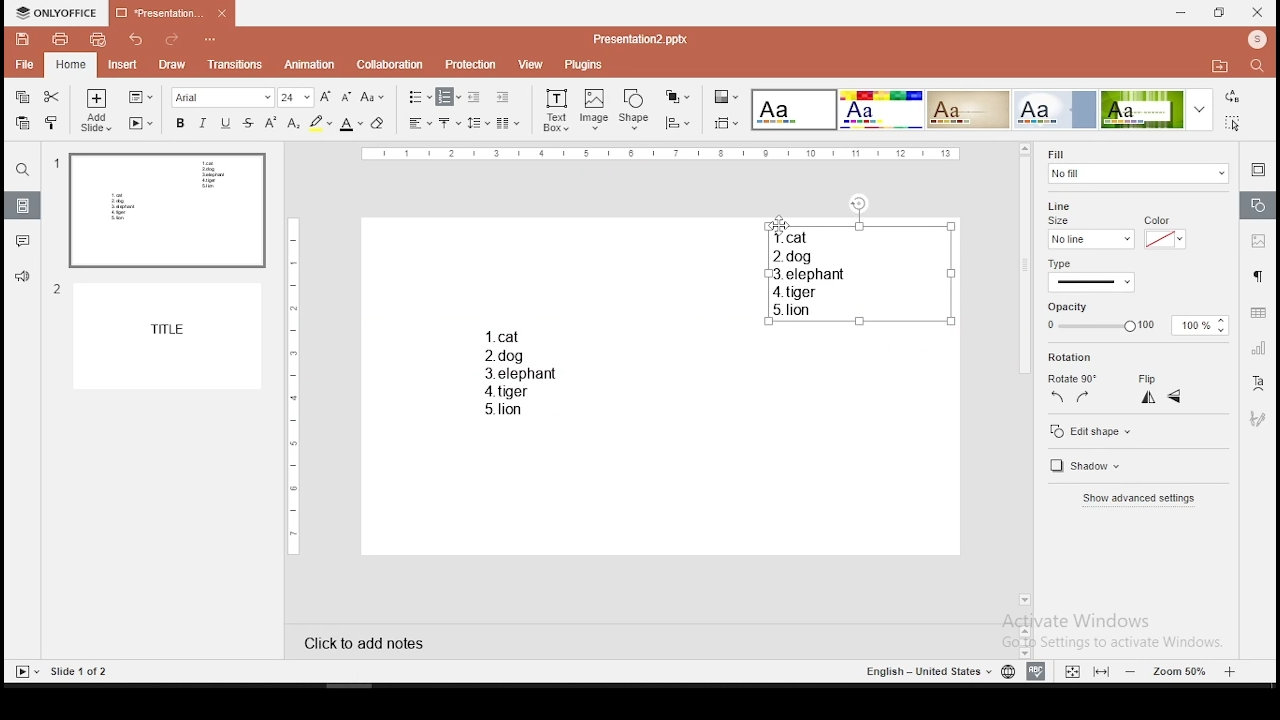  Describe the element at coordinates (178, 122) in the screenshot. I see `bold` at that location.